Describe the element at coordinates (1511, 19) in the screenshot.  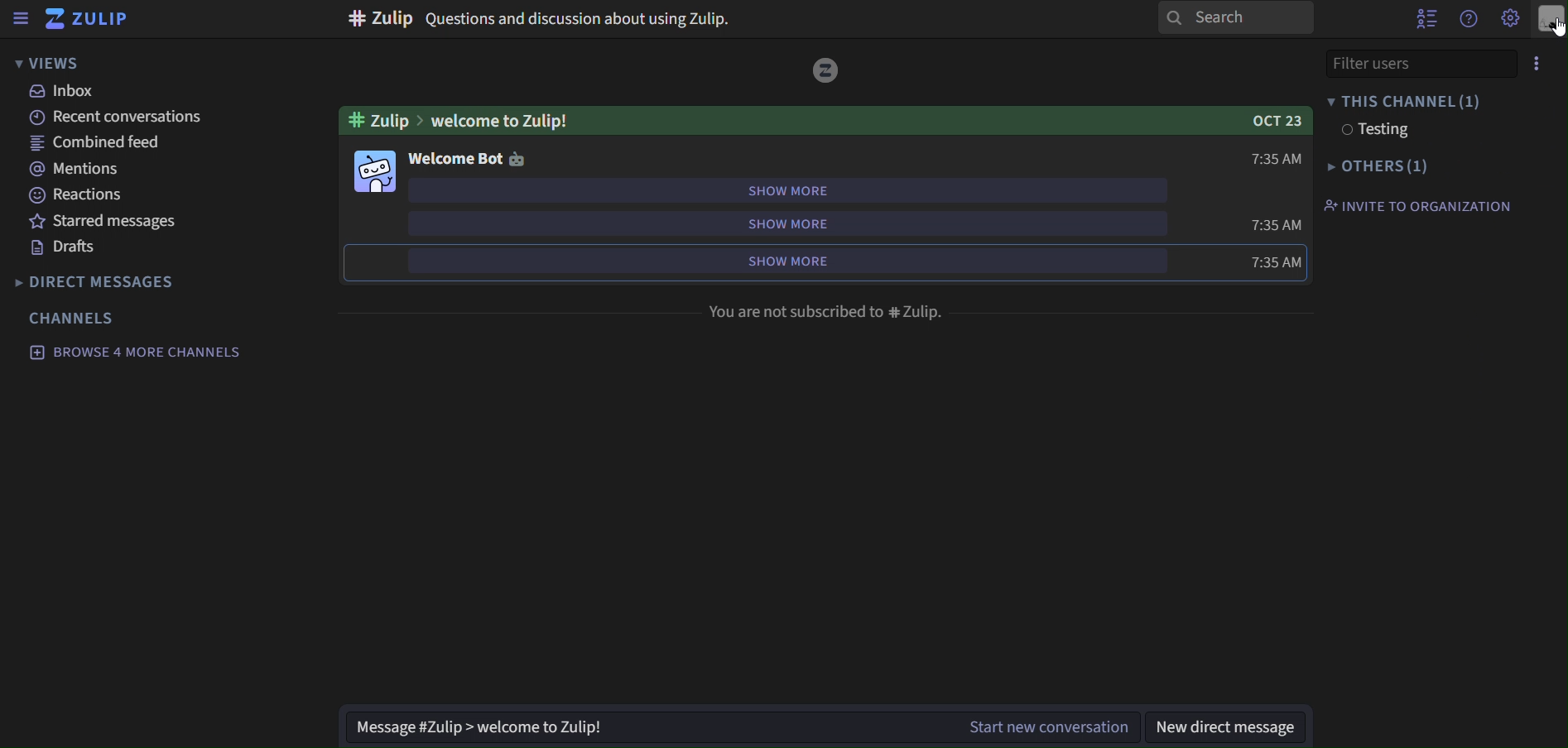
I see `main menu` at that location.